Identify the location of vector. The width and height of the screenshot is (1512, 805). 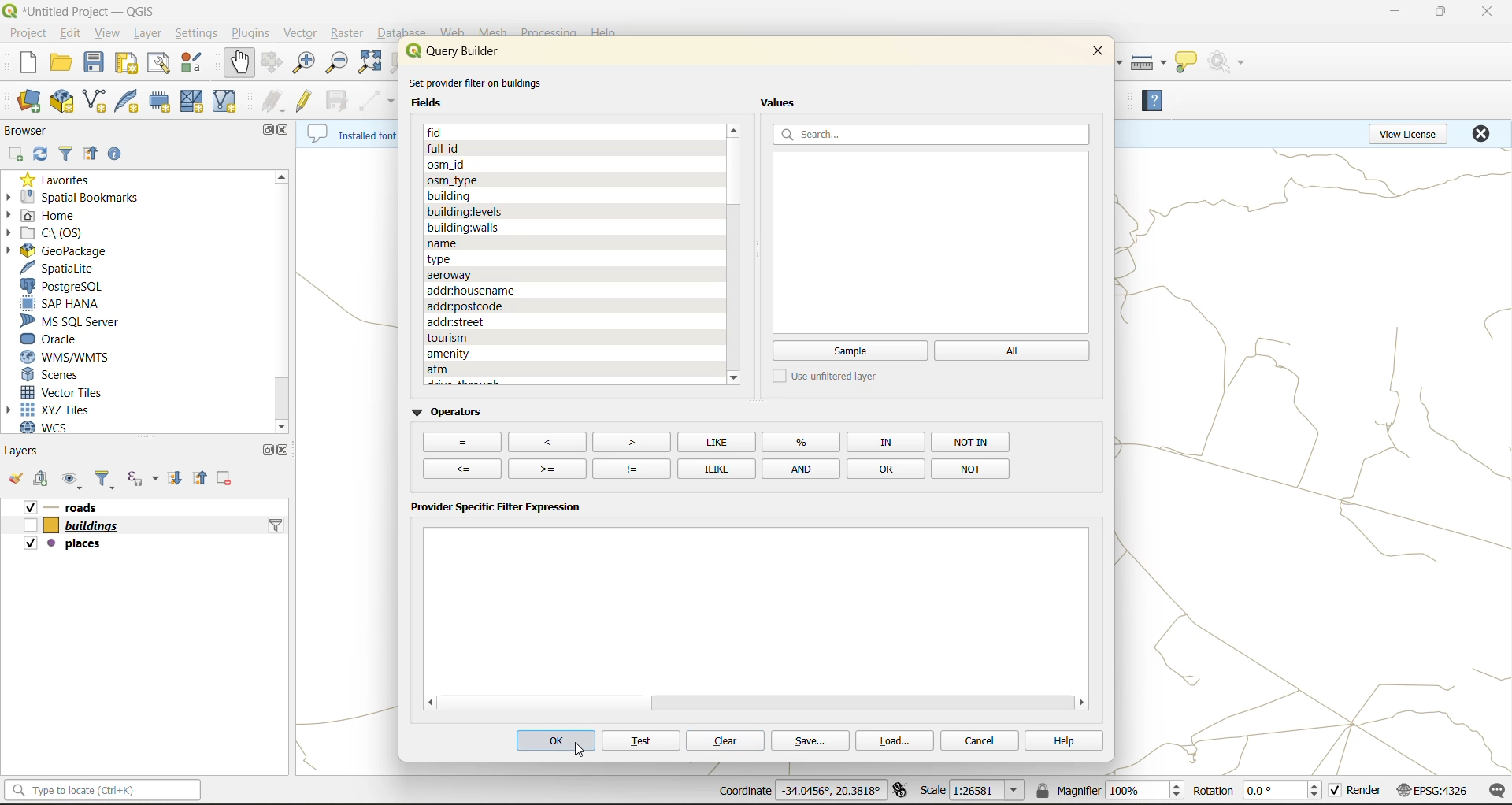
(302, 34).